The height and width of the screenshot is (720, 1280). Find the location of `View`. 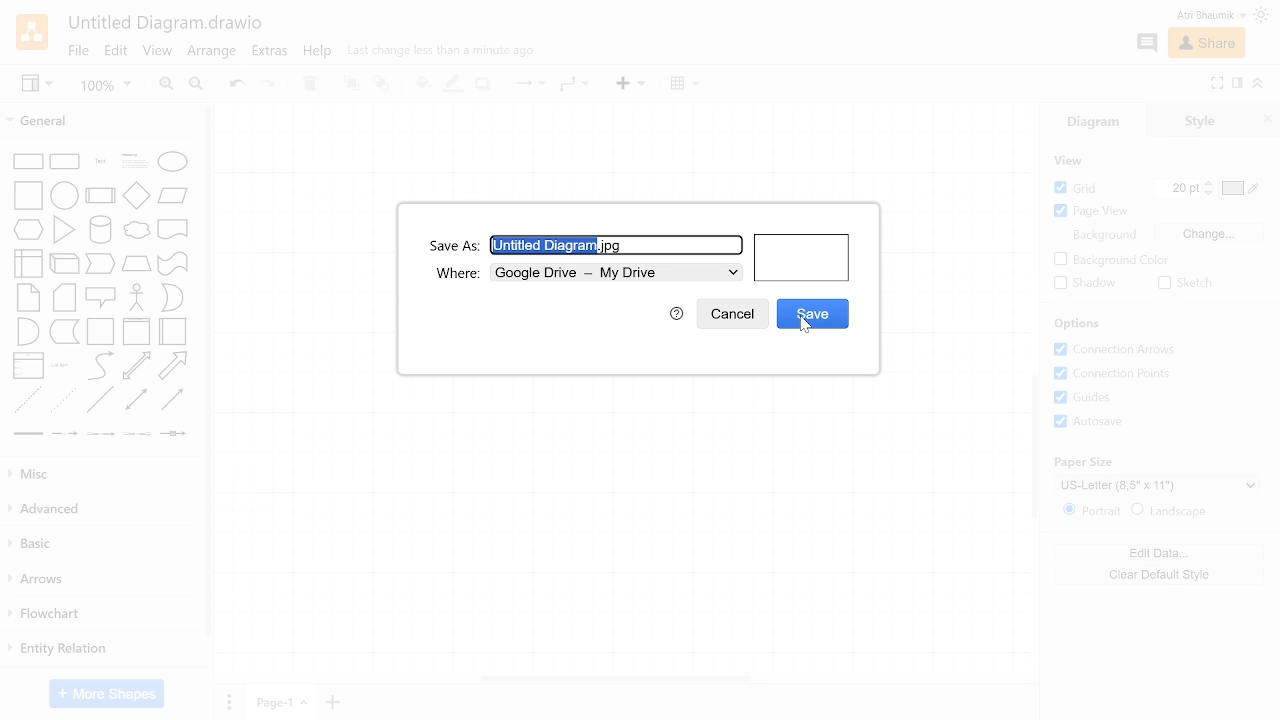

View is located at coordinates (157, 51).